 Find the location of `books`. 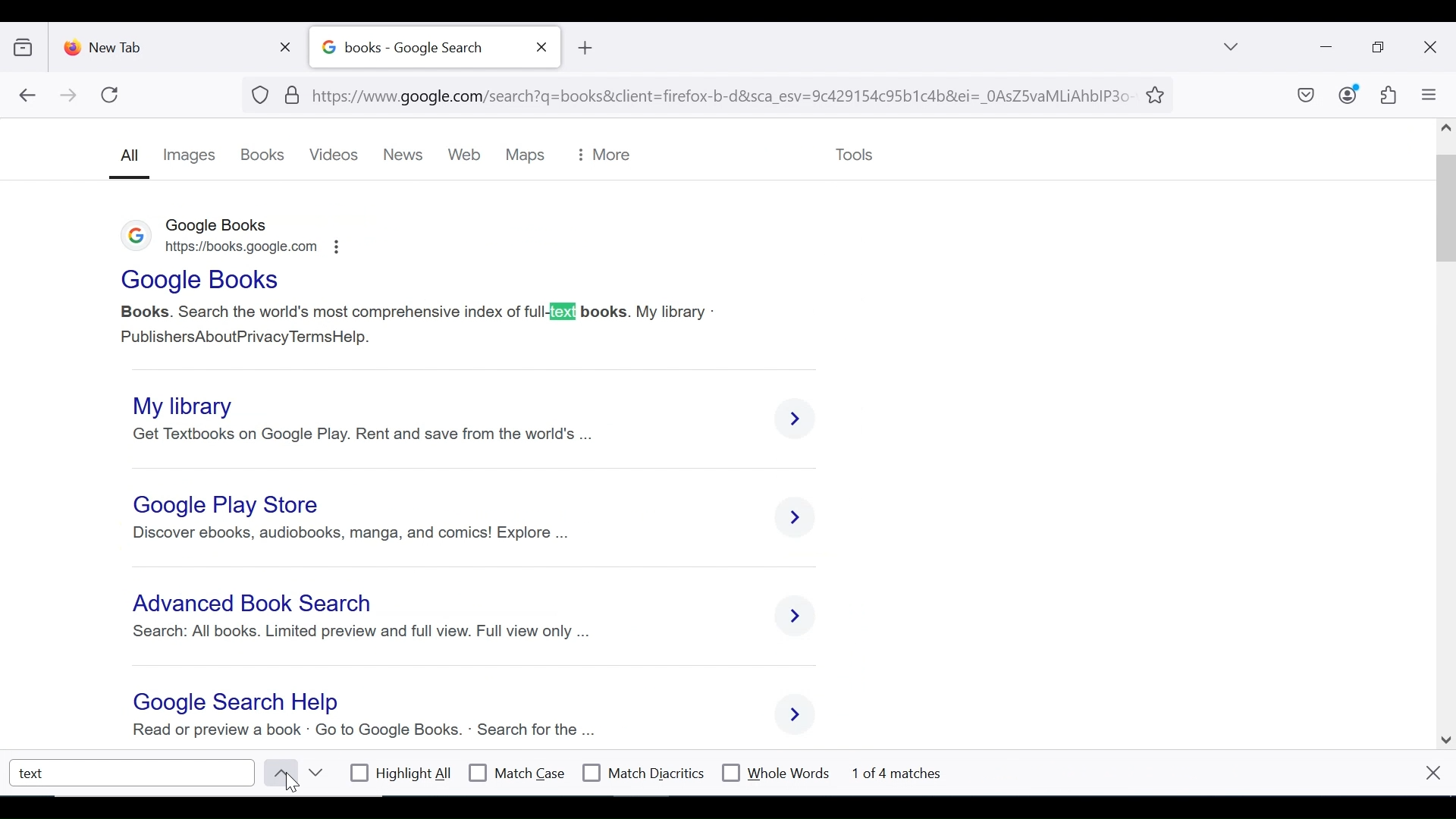

books is located at coordinates (263, 155).